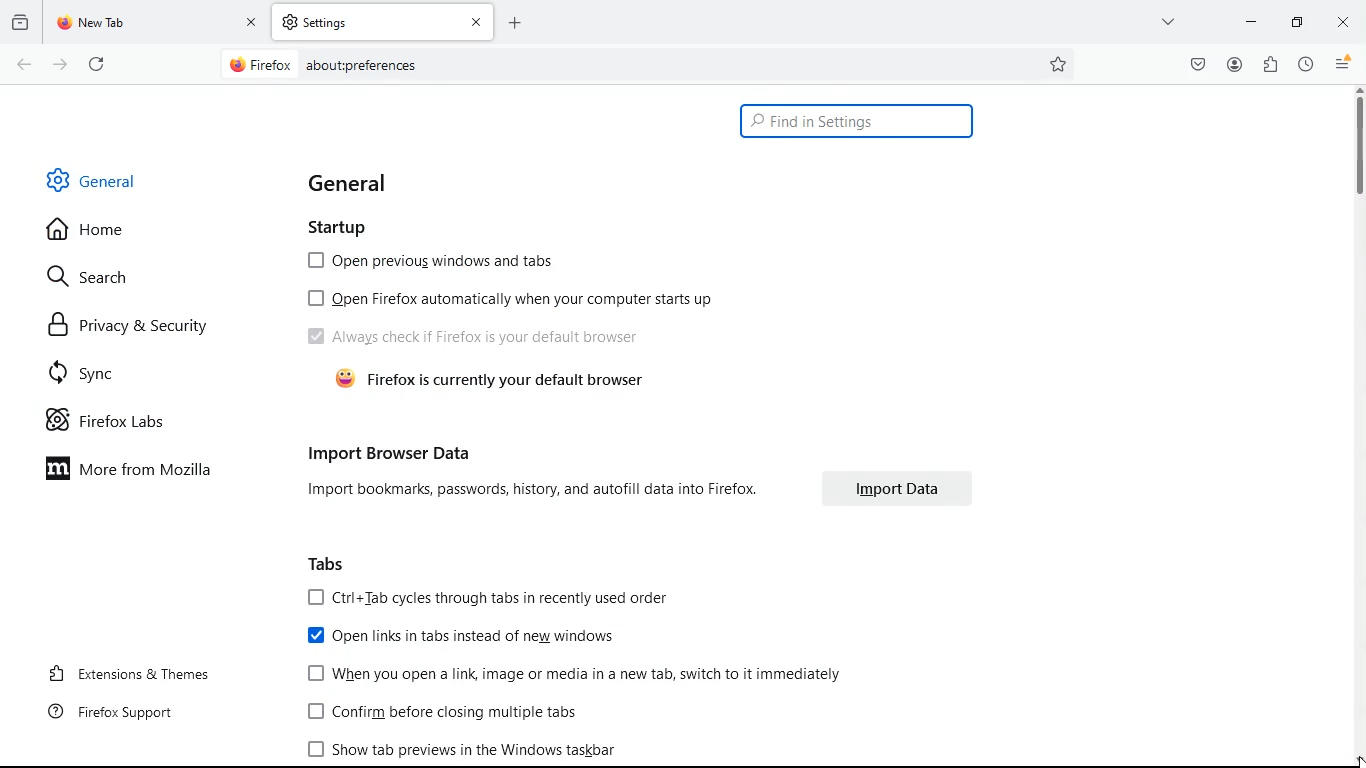 The image size is (1366, 768). Describe the element at coordinates (59, 64) in the screenshot. I see `forward` at that location.